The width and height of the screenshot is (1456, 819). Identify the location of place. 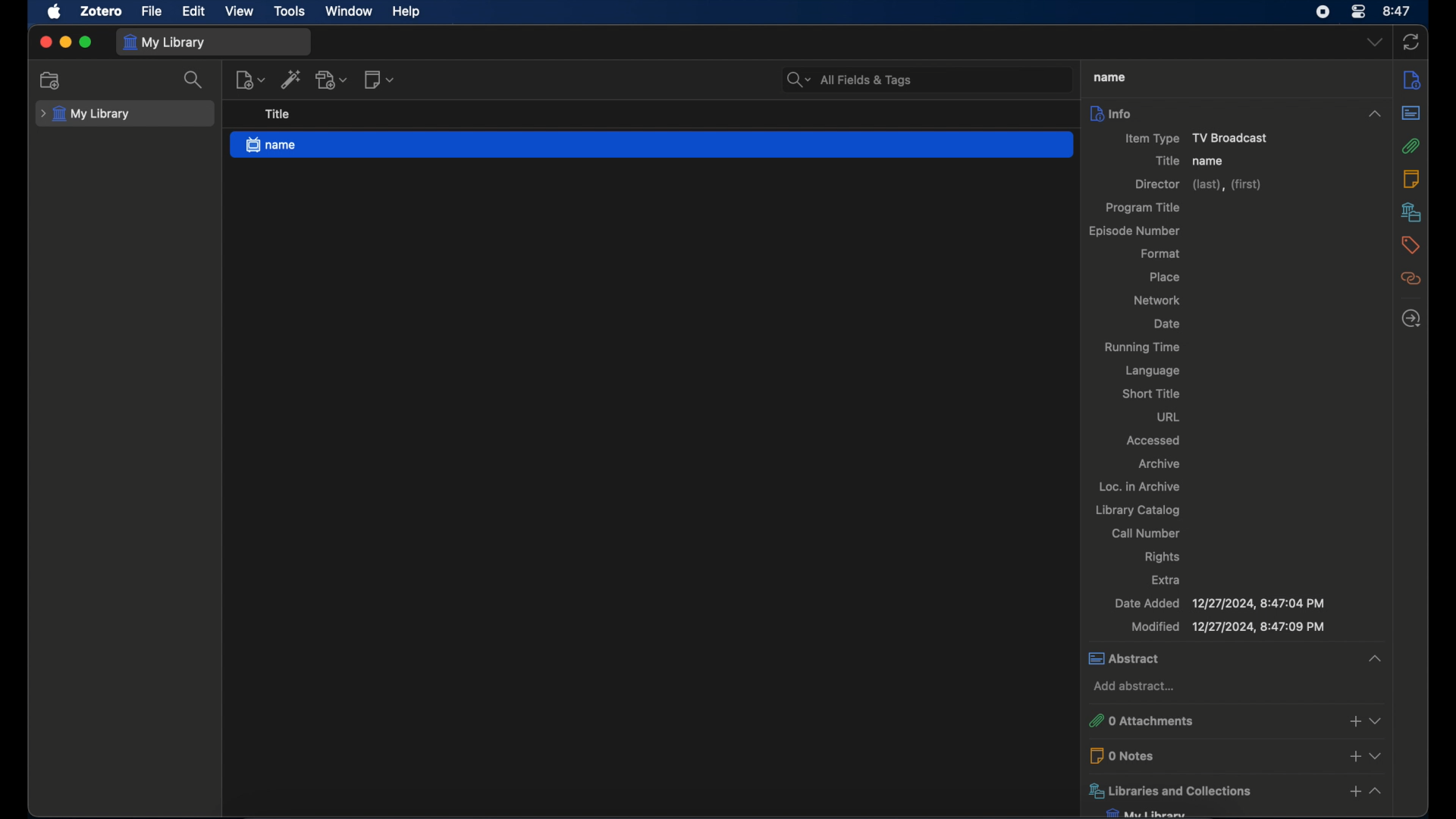
(1165, 277).